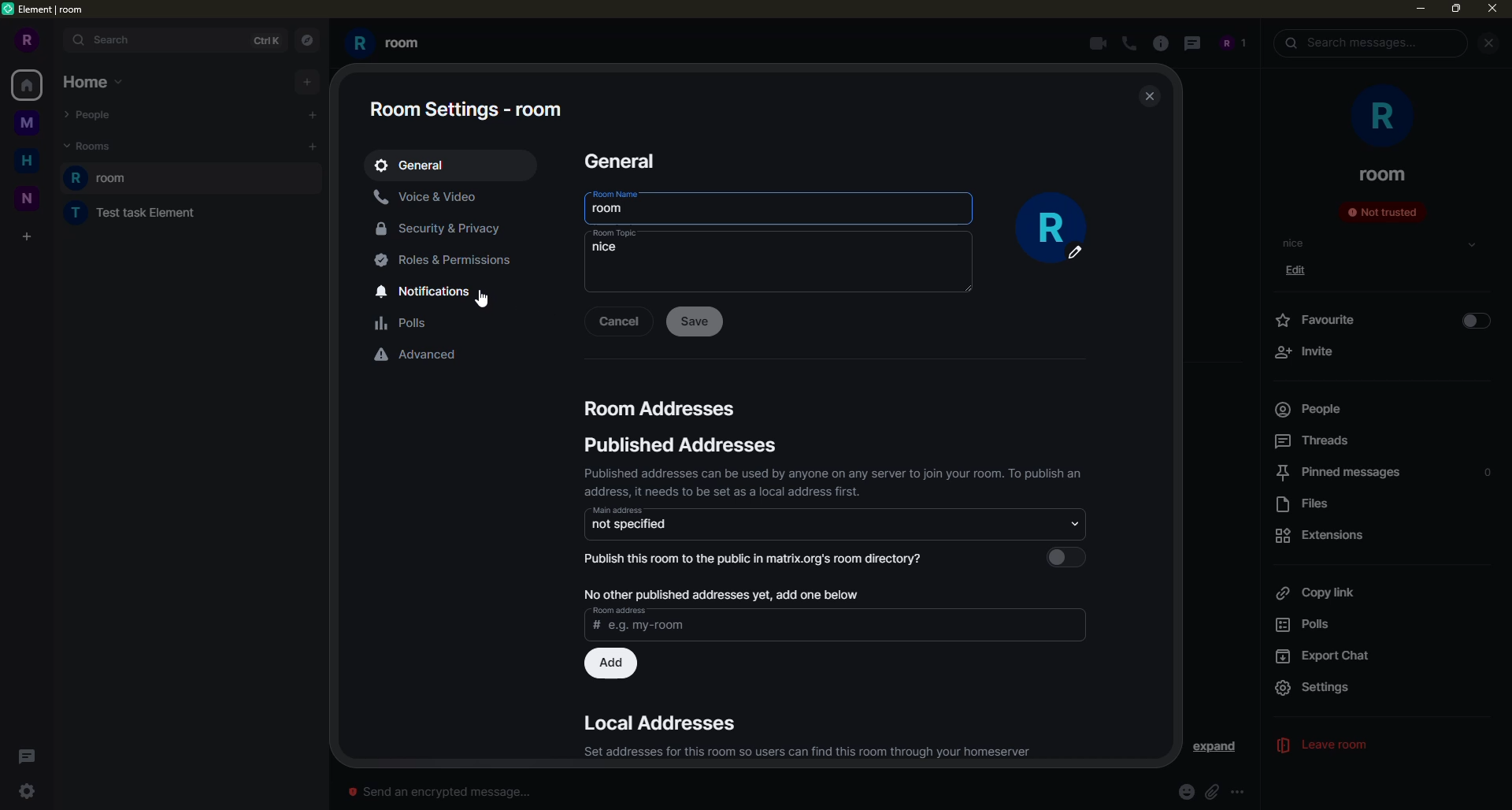  What do you see at coordinates (29, 126) in the screenshot?
I see `M` at bounding box center [29, 126].